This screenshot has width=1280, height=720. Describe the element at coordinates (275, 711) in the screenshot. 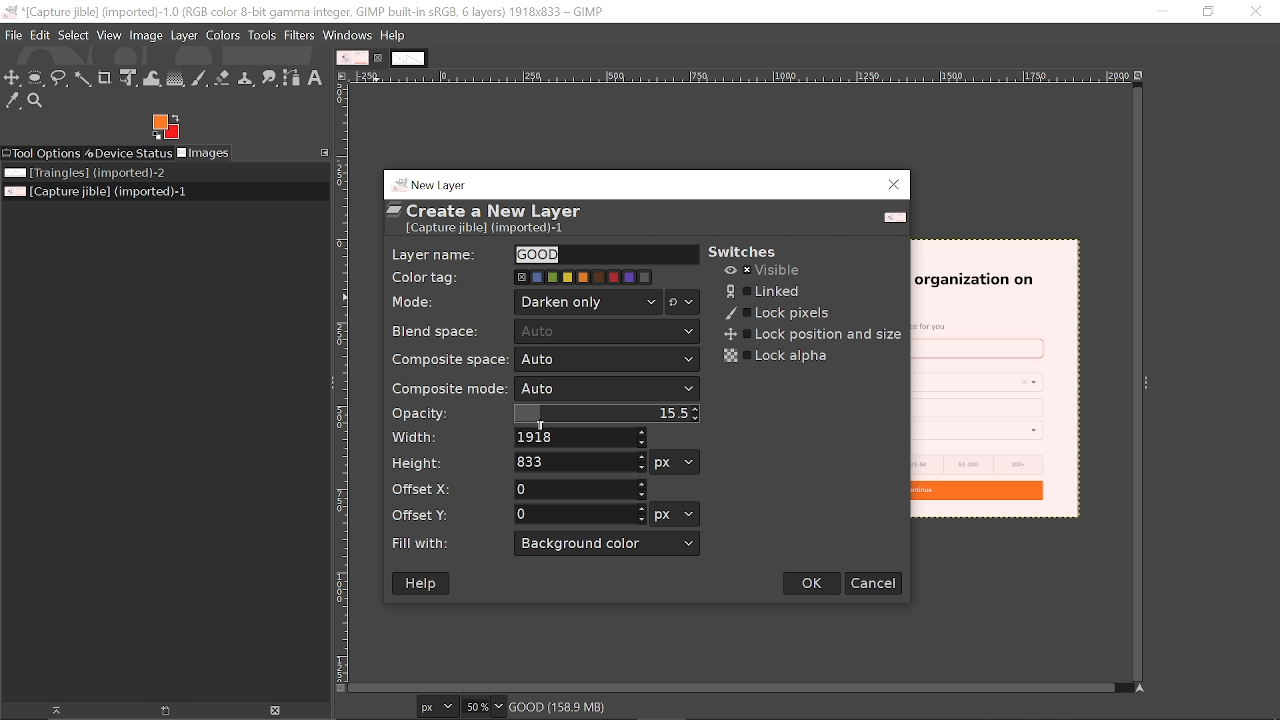

I see `Delete image` at that location.